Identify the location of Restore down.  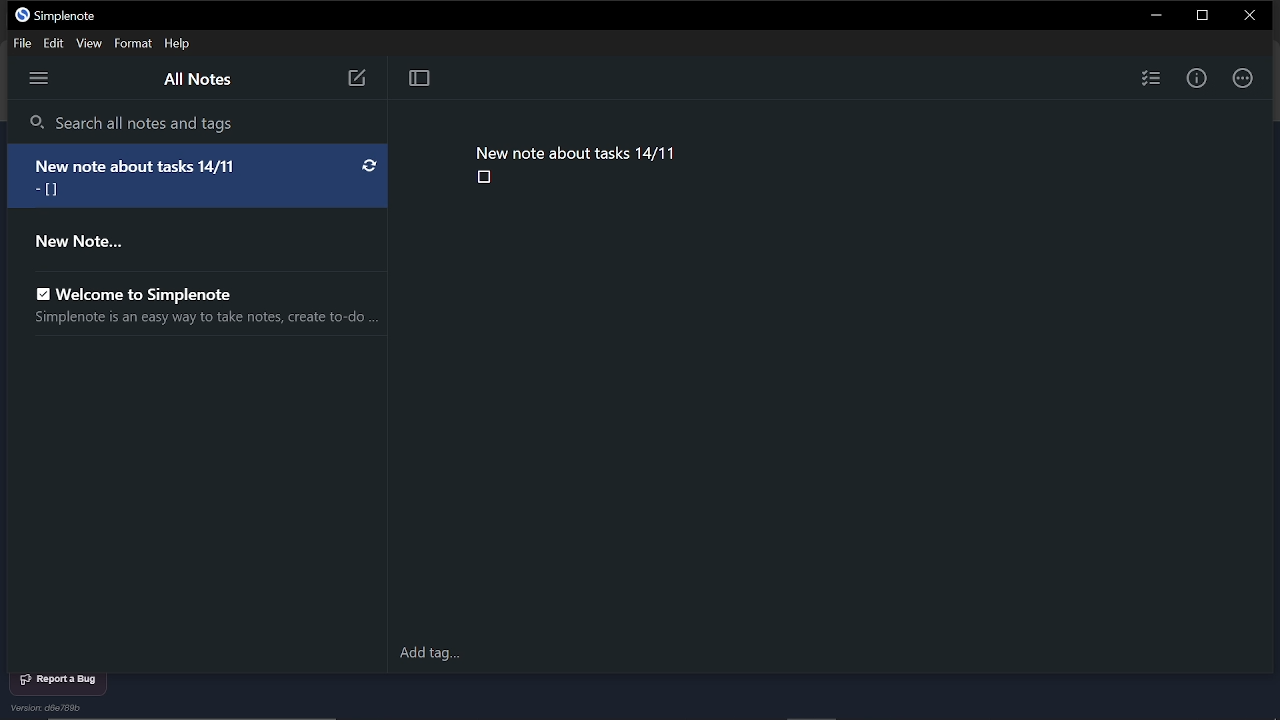
(1206, 16).